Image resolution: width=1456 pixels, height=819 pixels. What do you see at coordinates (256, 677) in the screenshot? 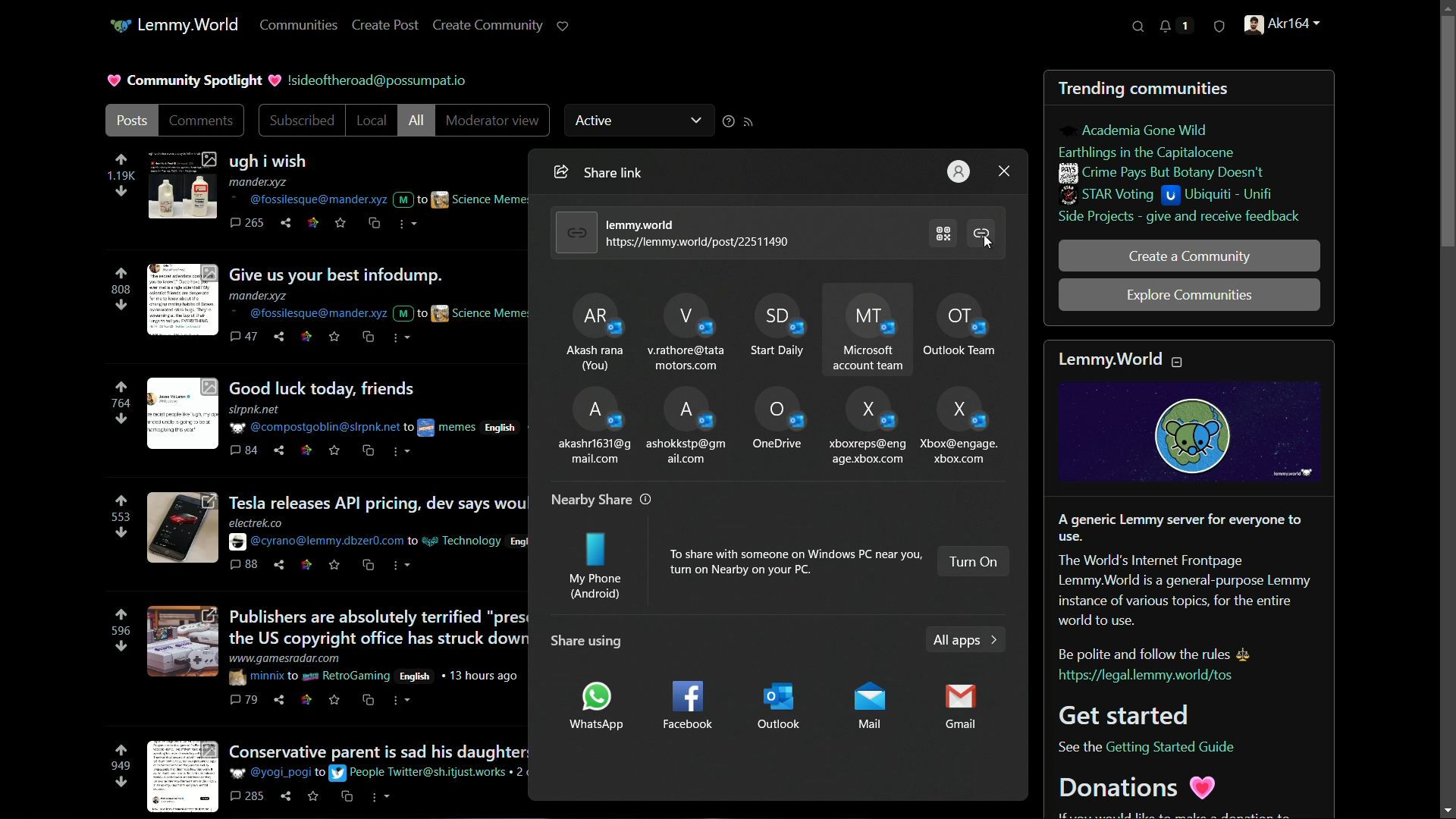
I see `minnix` at bounding box center [256, 677].